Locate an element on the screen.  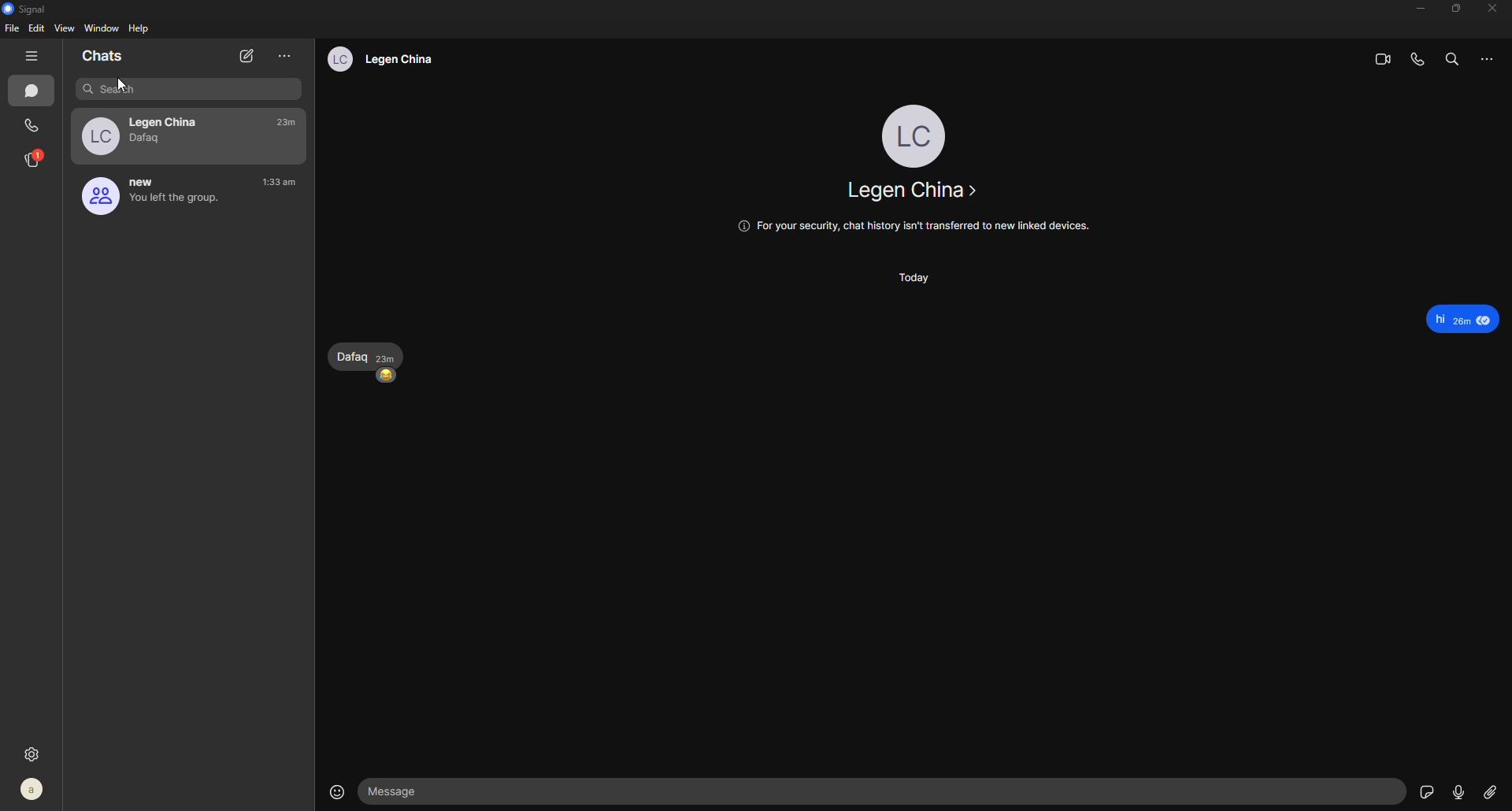
sticker is located at coordinates (1425, 791).